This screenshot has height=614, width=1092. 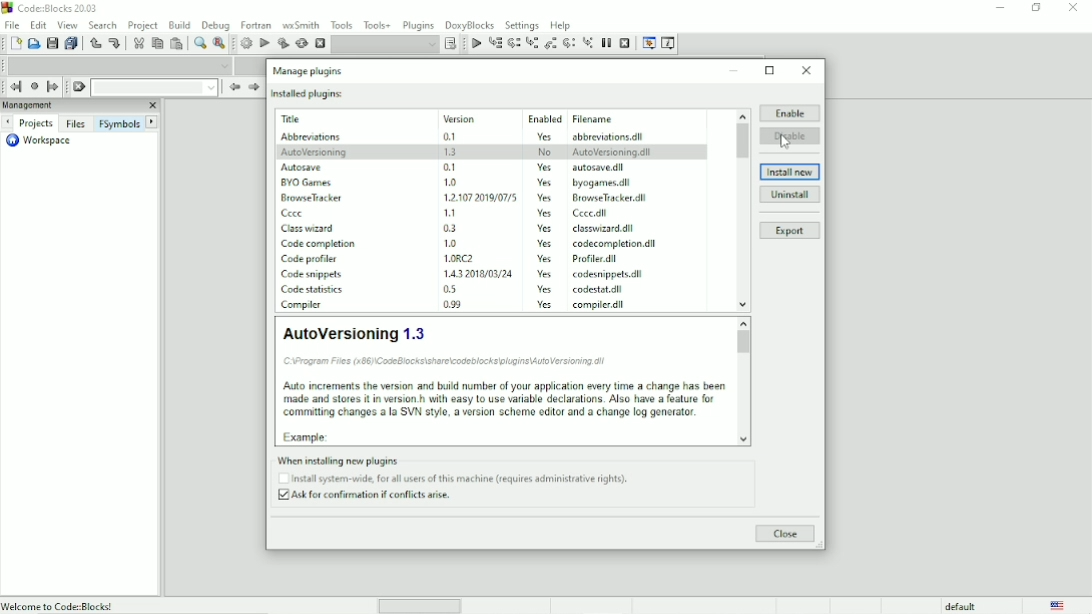 What do you see at coordinates (310, 229) in the screenshot?
I see `Class wizard` at bounding box center [310, 229].